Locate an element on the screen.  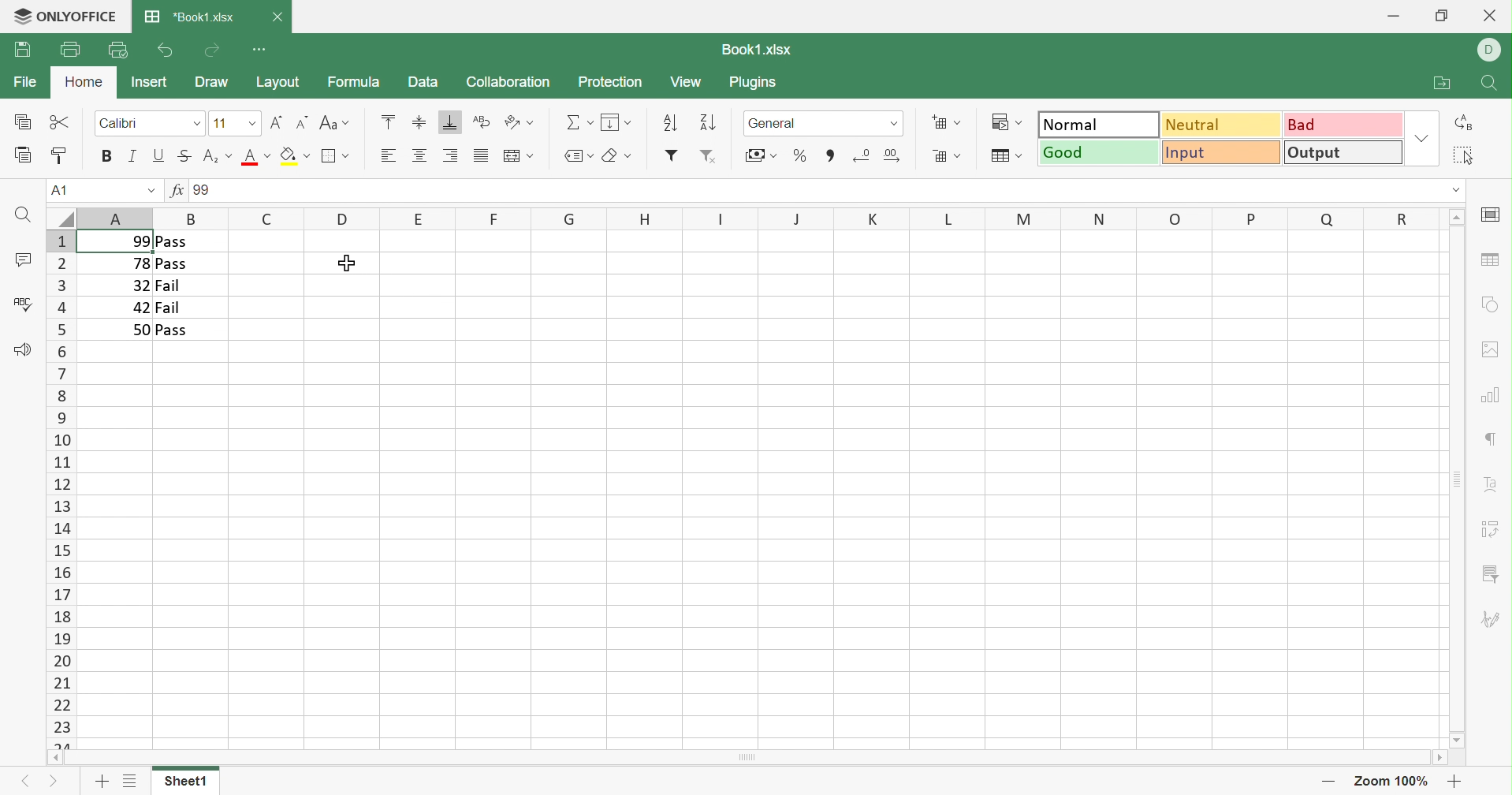
Merge center is located at coordinates (517, 157).